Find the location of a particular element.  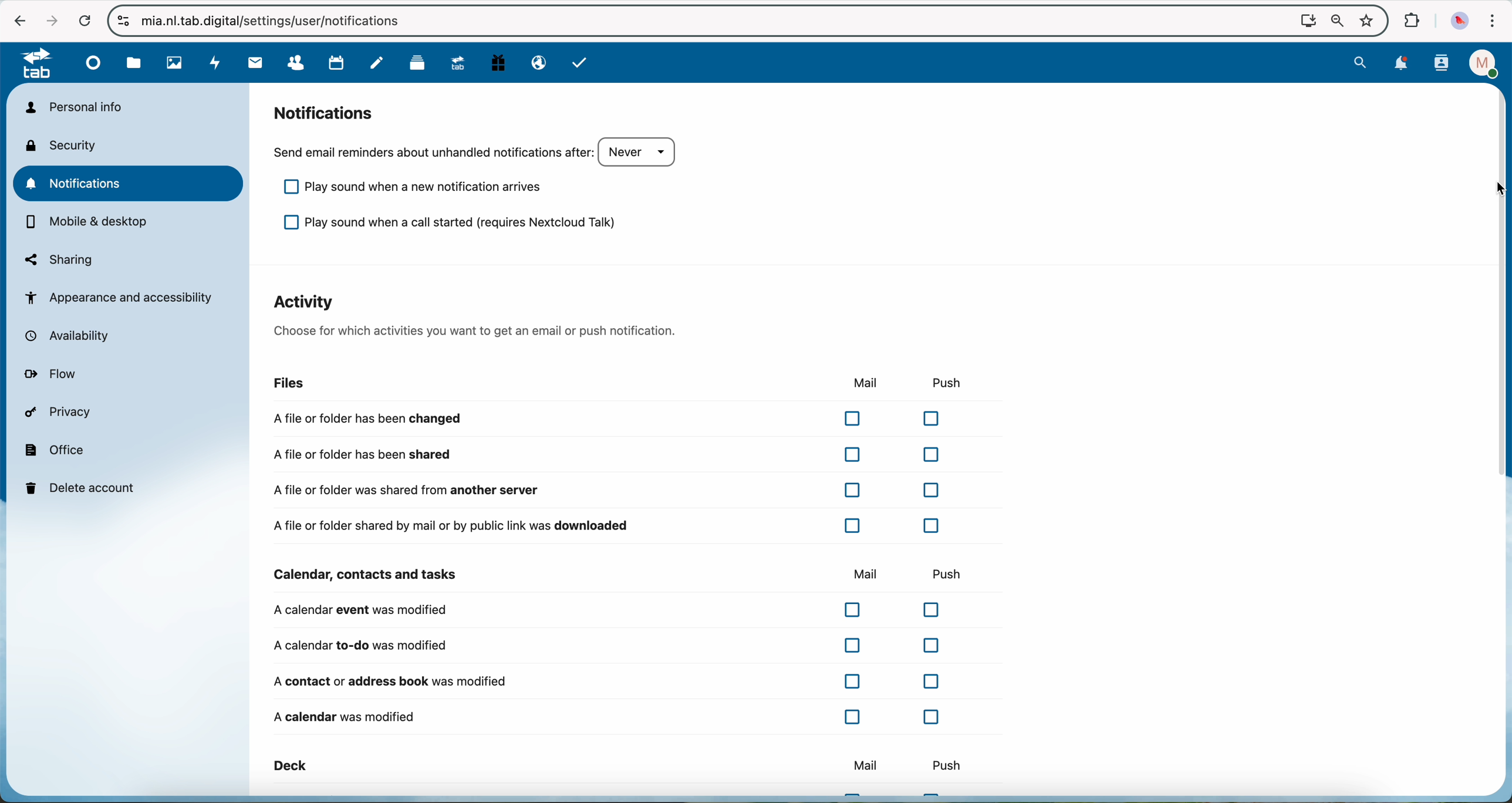

notifications is located at coordinates (1402, 63).